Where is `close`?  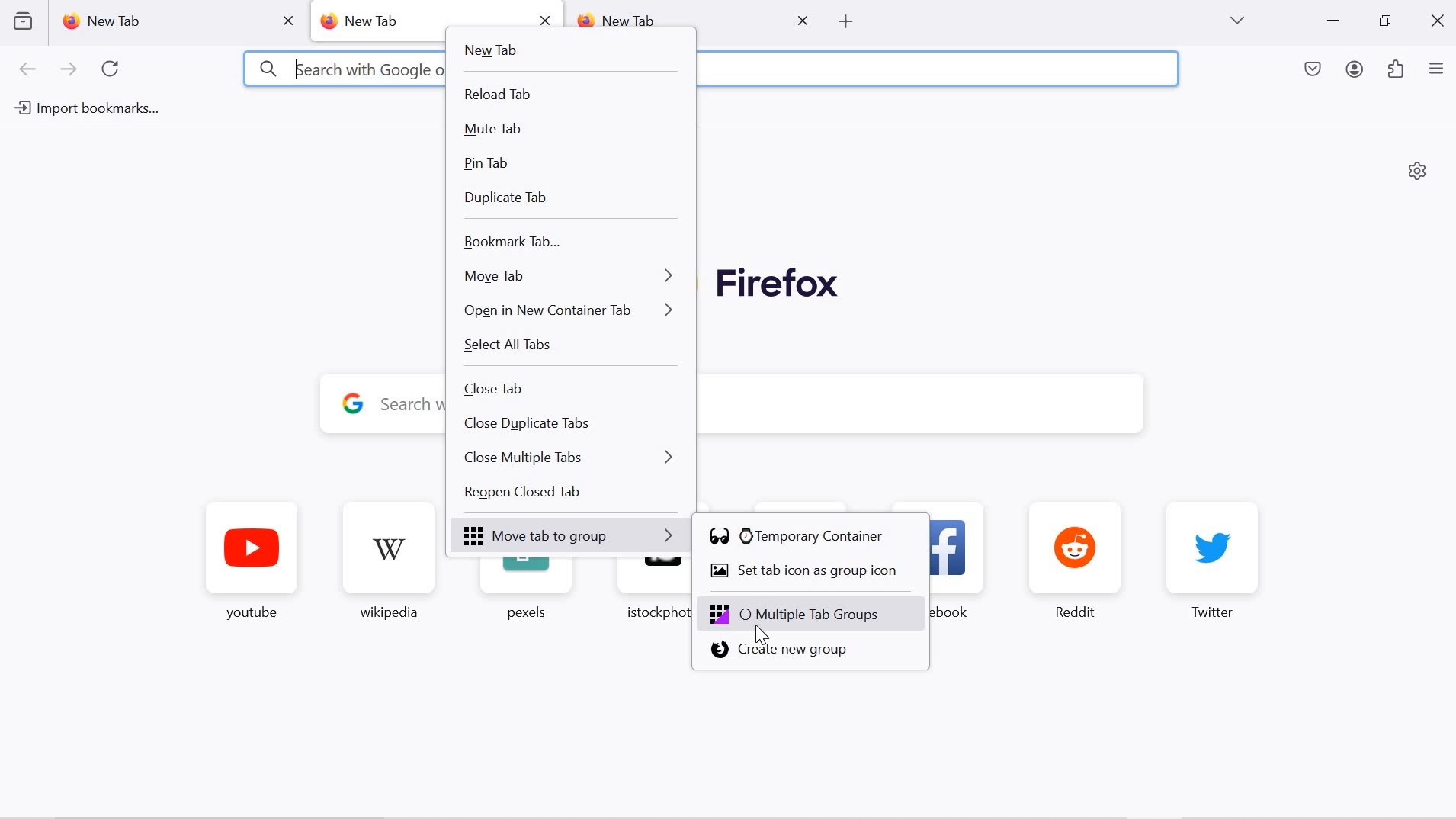 close is located at coordinates (805, 19).